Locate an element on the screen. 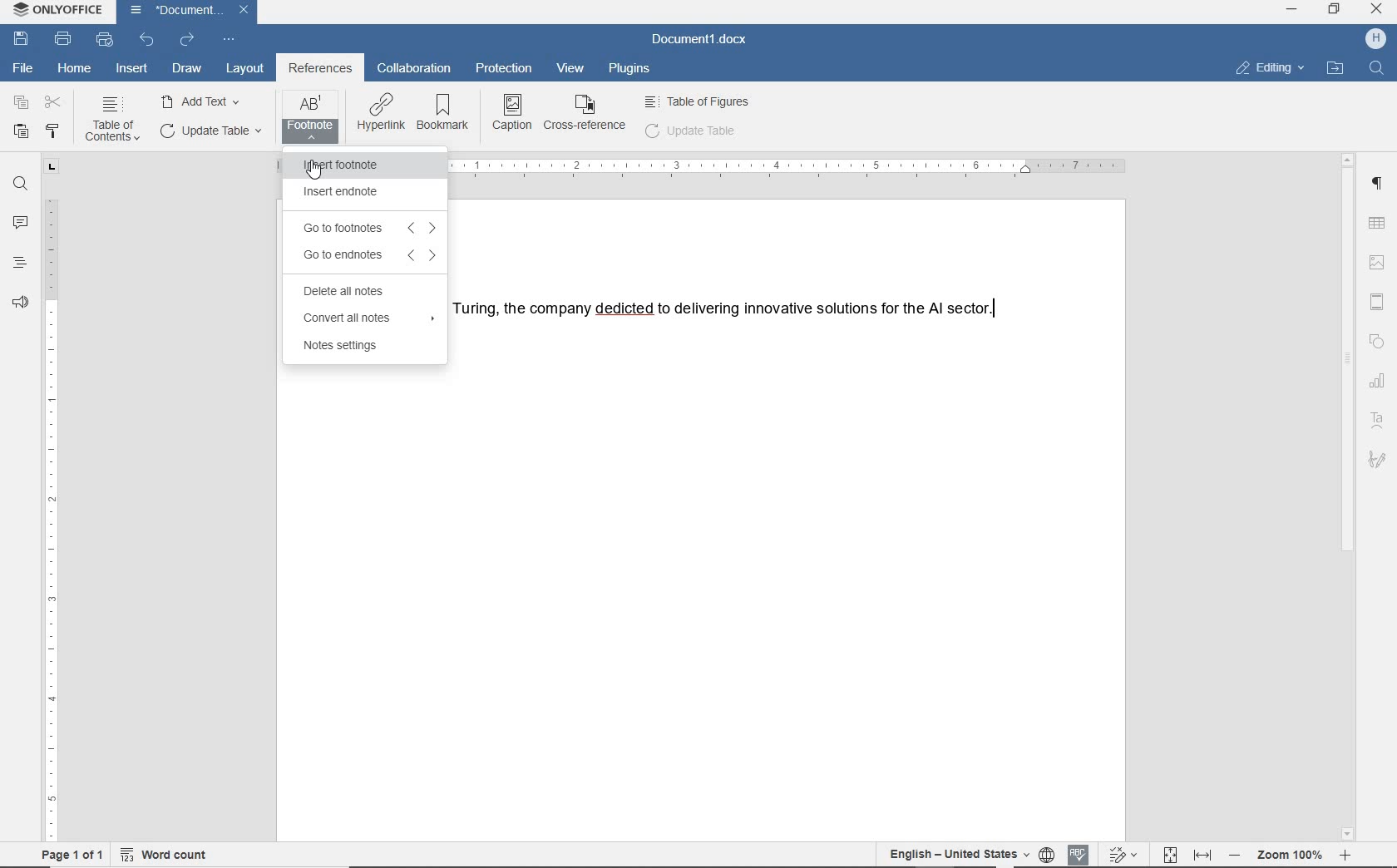 This screenshot has height=868, width=1397. zoom level is located at coordinates (1291, 857).